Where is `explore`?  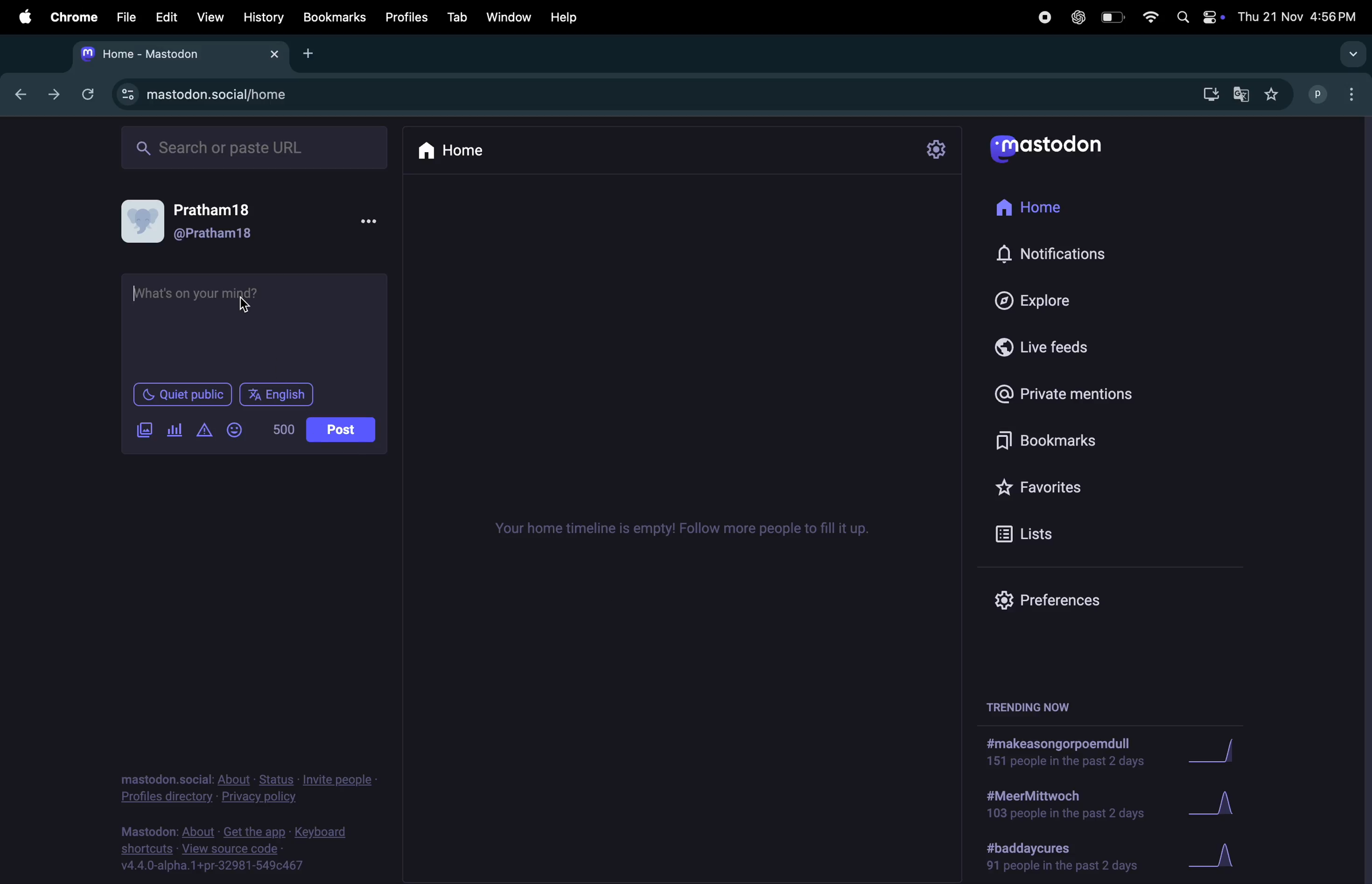 explore is located at coordinates (1060, 297).